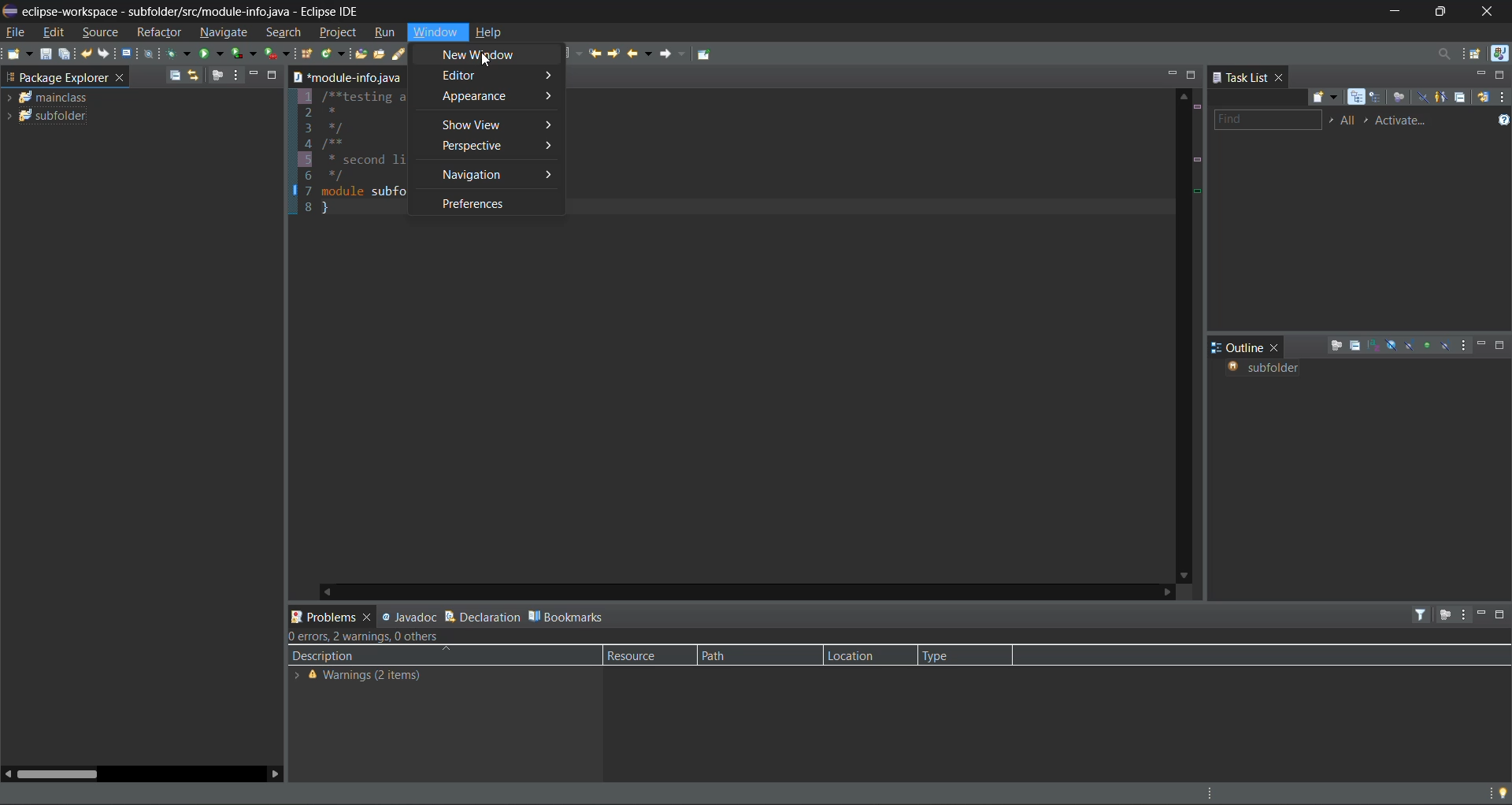 The width and height of the screenshot is (1512, 805). Describe the element at coordinates (1276, 347) in the screenshot. I see `close` at that location.